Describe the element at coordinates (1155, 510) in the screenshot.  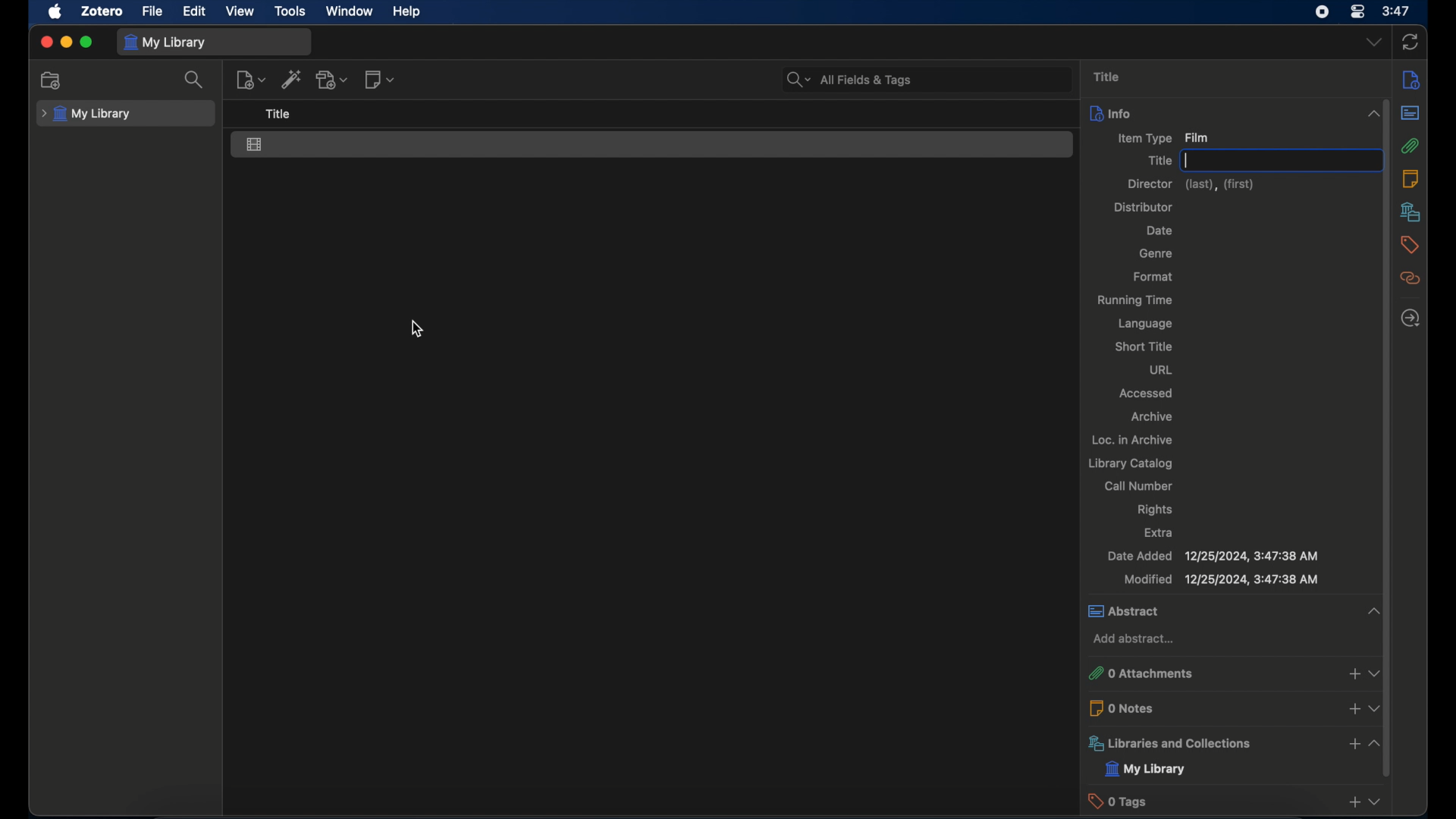
I see `rights` at that location.